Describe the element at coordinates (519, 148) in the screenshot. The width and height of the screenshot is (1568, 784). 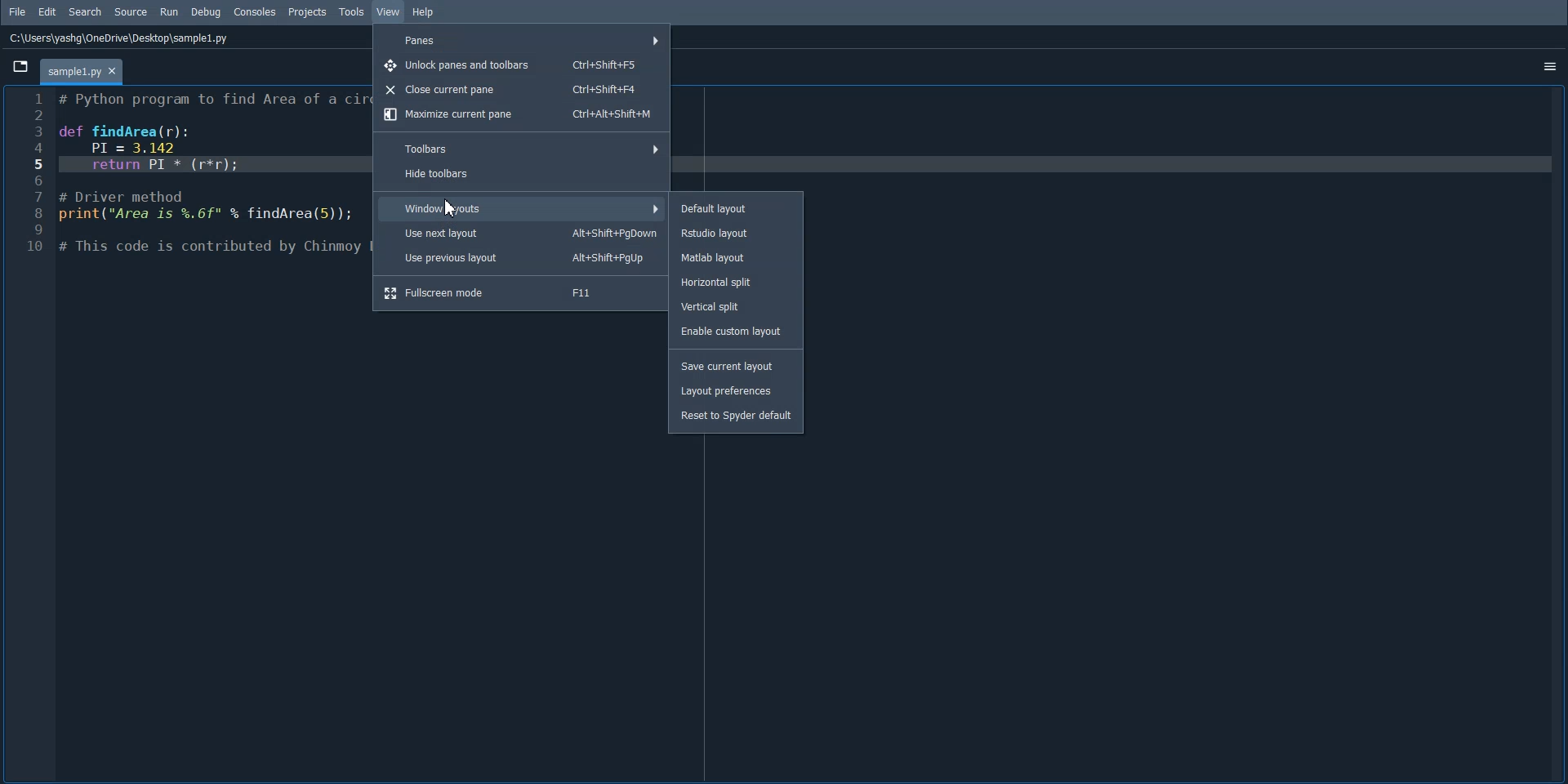
I see `Toolbars` at that location.